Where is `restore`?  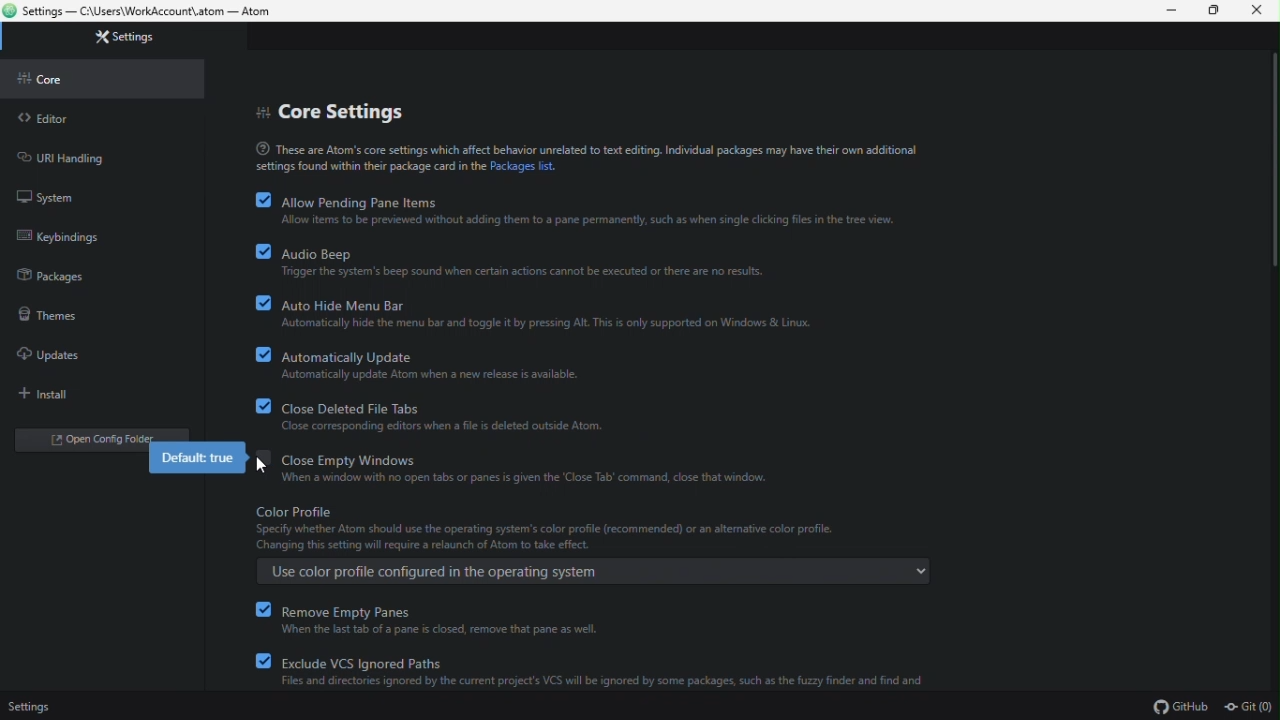 restore is located at coordinates (1219, 10).